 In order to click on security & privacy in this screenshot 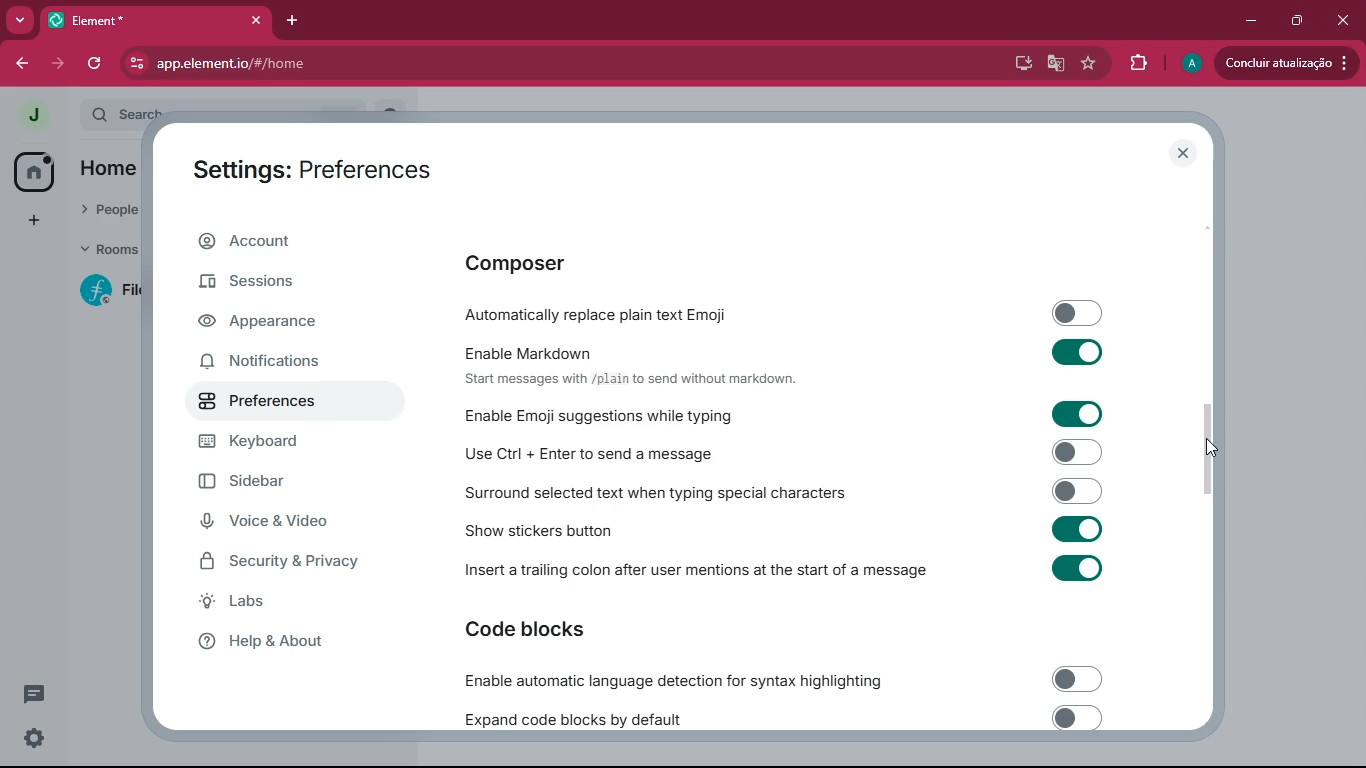, I will do `click(281, 560)`.